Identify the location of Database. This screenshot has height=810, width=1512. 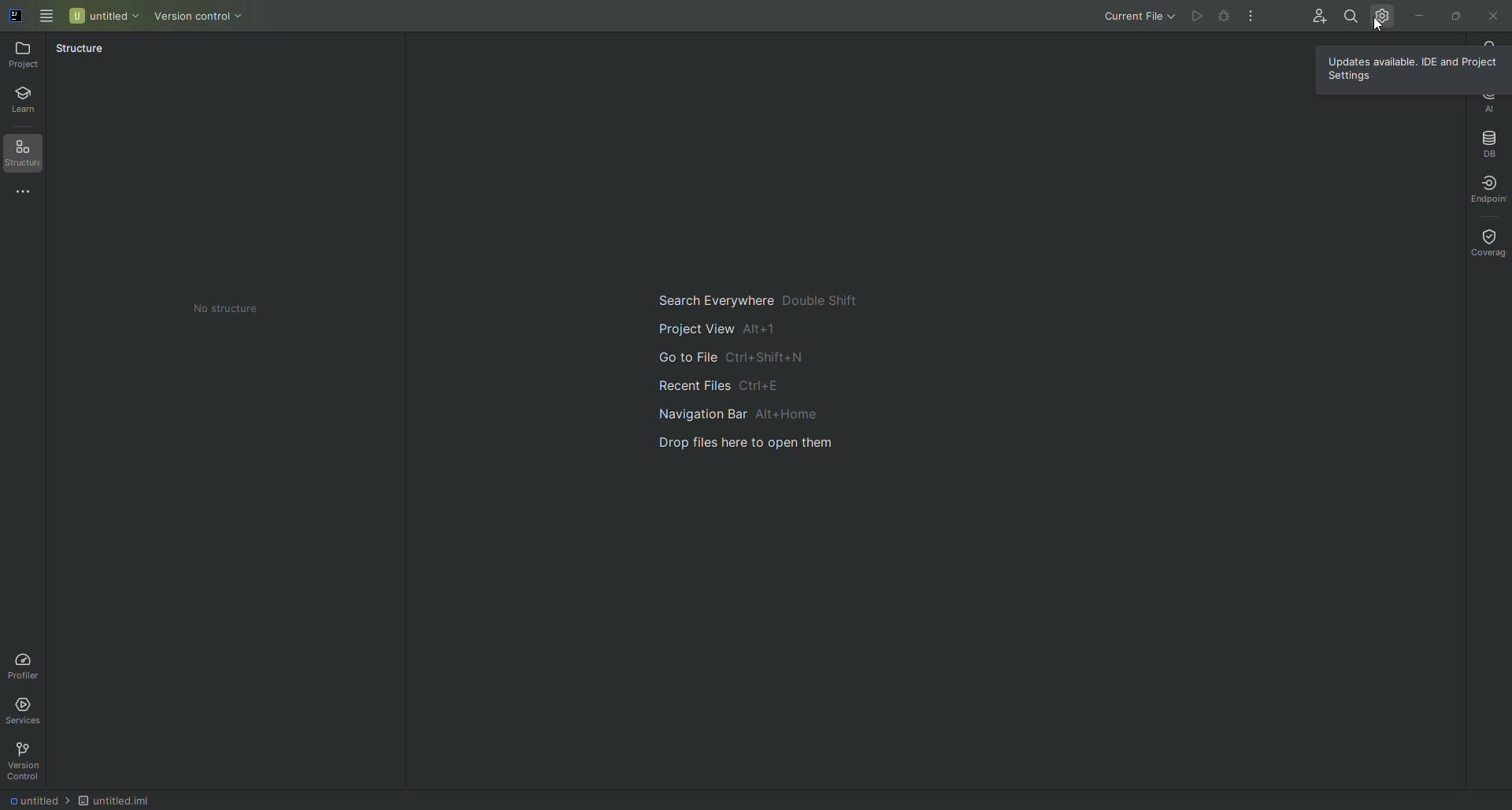
(1488, 142).